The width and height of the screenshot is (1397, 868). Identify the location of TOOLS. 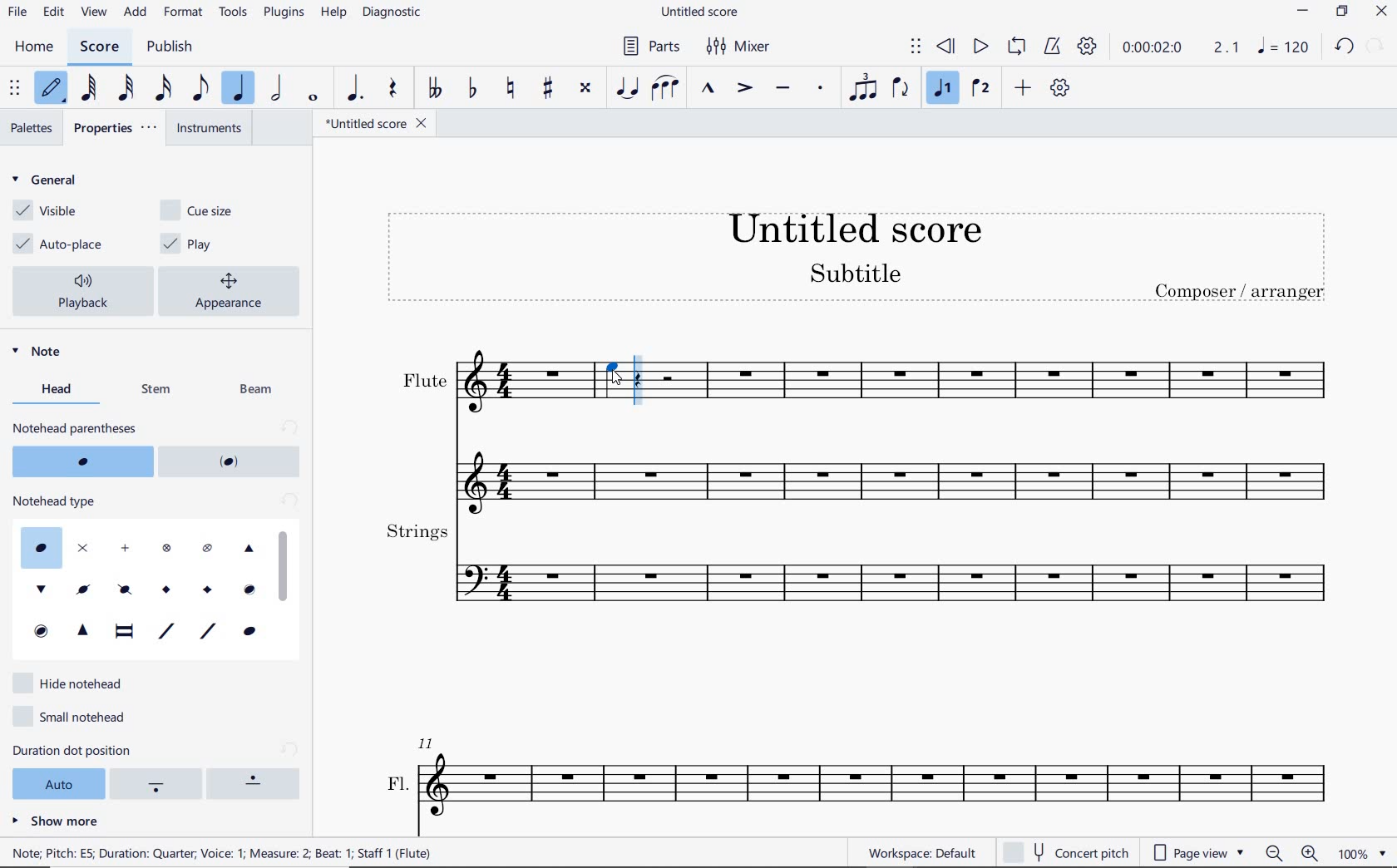
(234, 13).